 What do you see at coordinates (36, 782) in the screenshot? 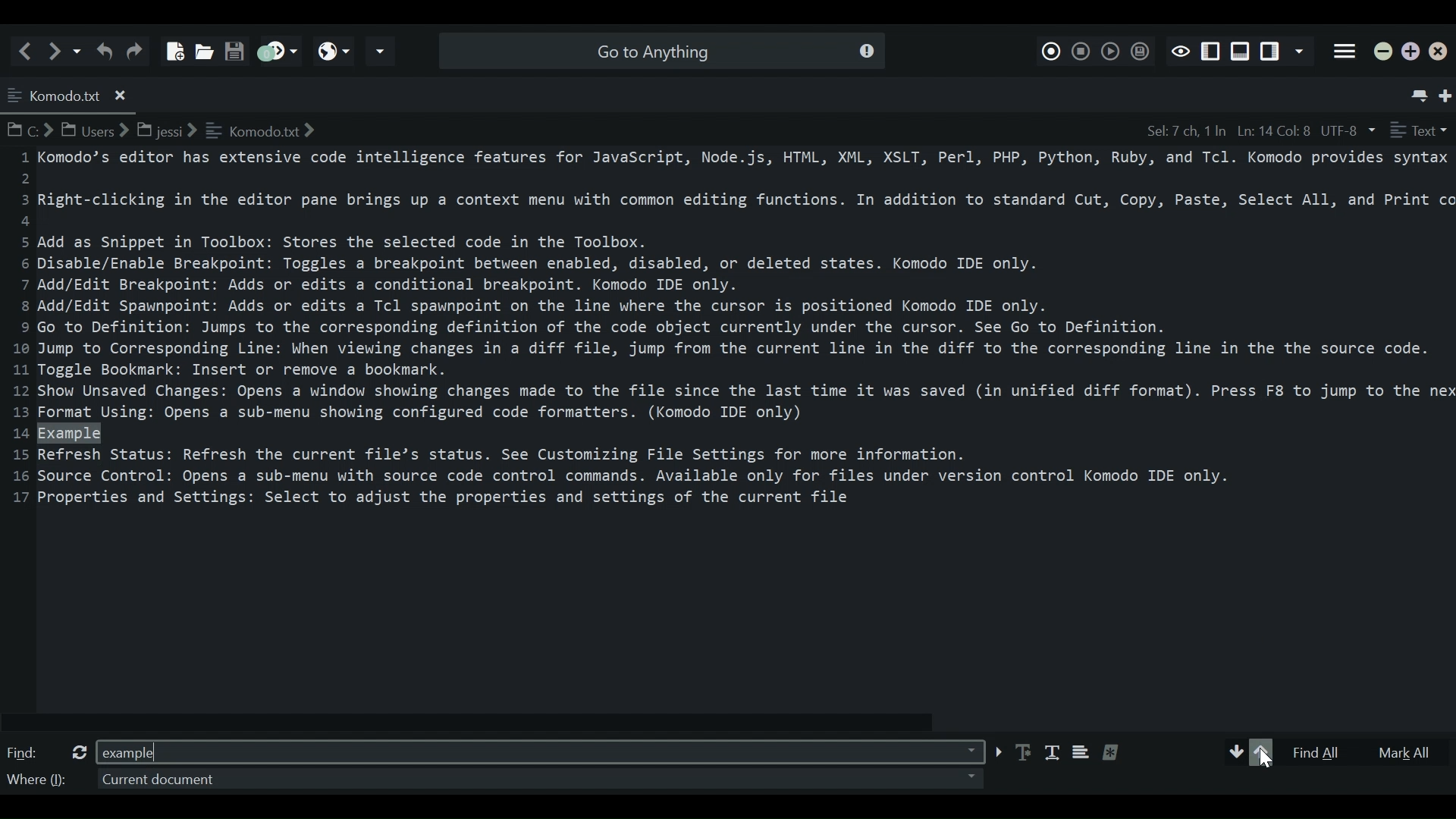
I see `Where` at bounding box center [36, 782].